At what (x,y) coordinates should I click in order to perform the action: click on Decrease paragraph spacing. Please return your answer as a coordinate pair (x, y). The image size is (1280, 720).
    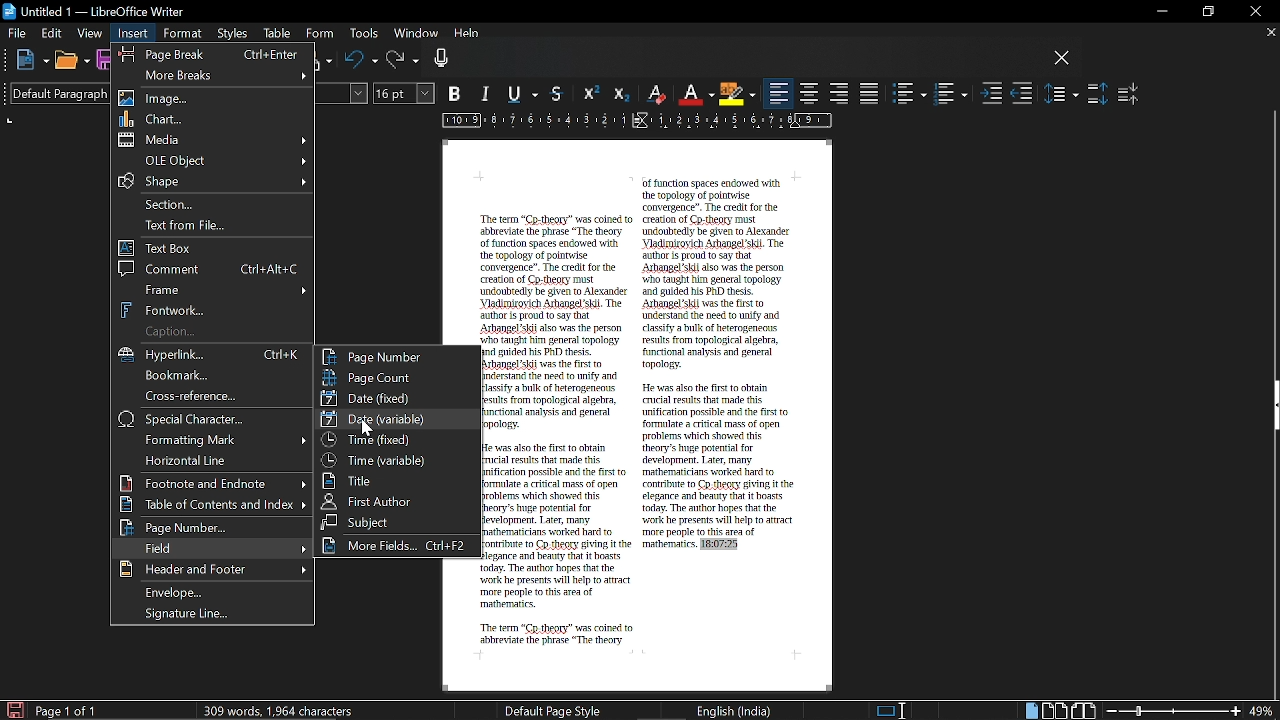
    Looking at the image, I should click on (1129, 93).